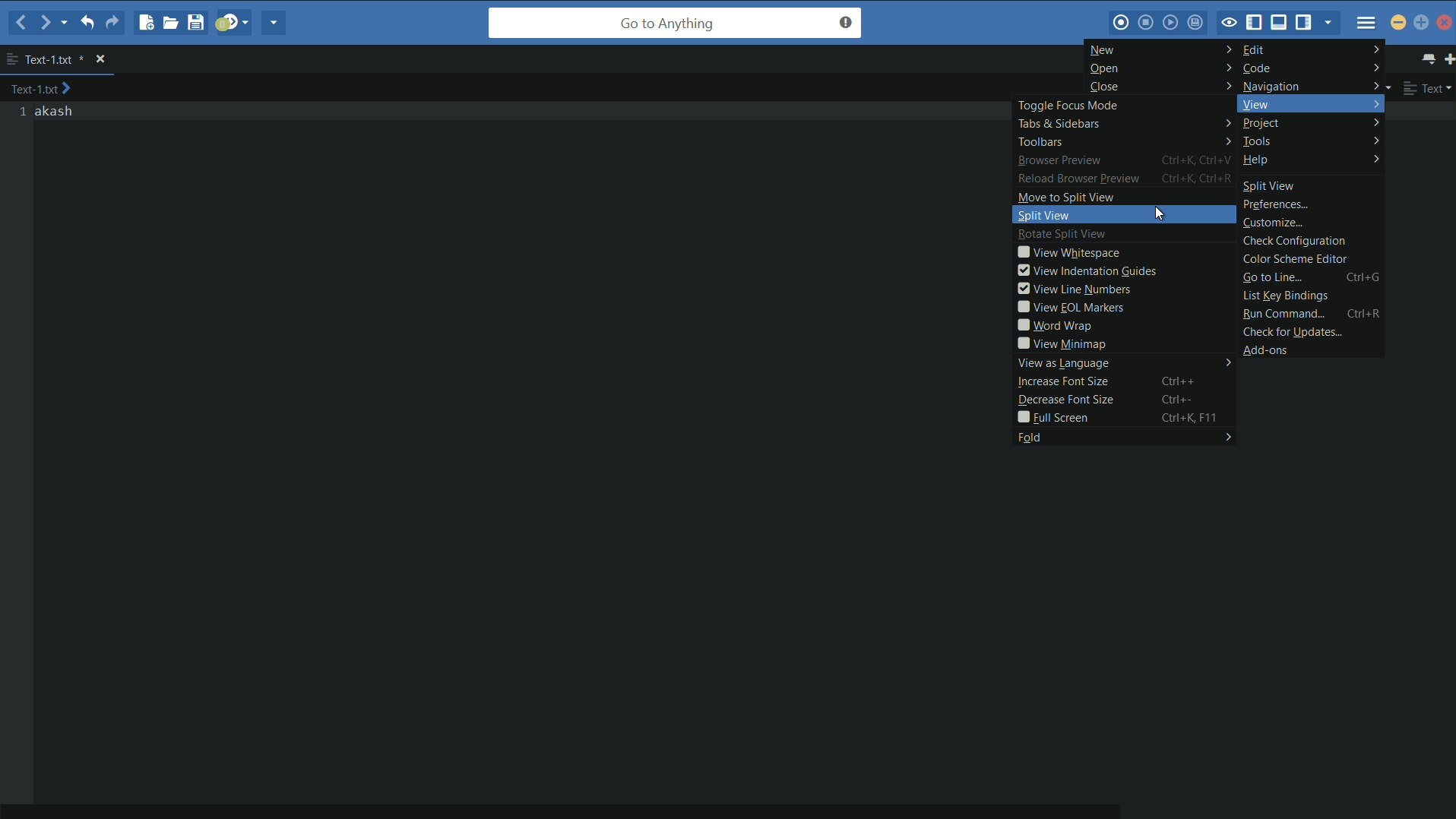 This screenshot has width=1456, height=819. Describe the element at coordinates (1125, 381) in the screenshot. I see `increase font size` at that location.